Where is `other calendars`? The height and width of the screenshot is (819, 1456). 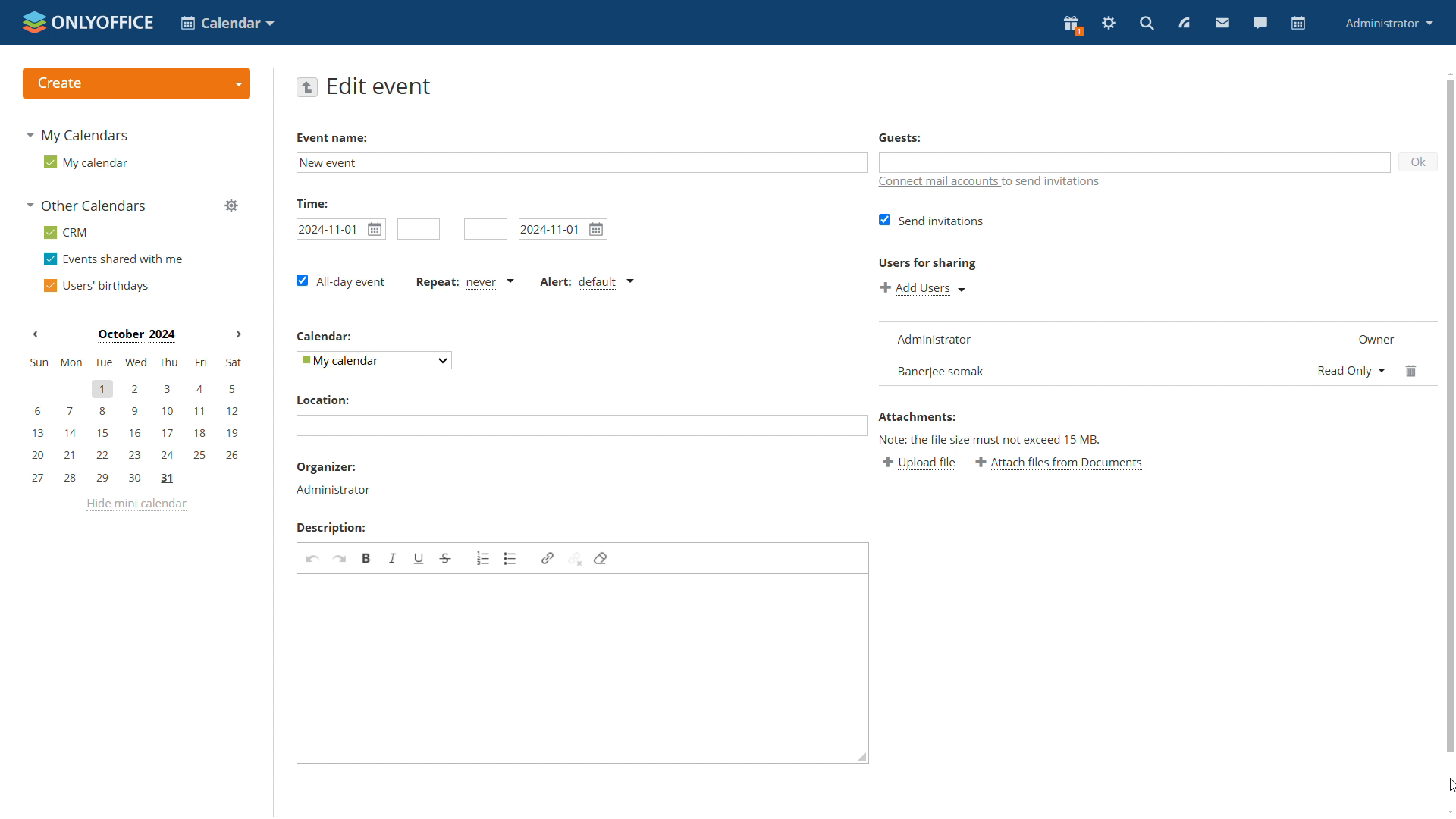
other calendars is located at coordinates (88, 206).